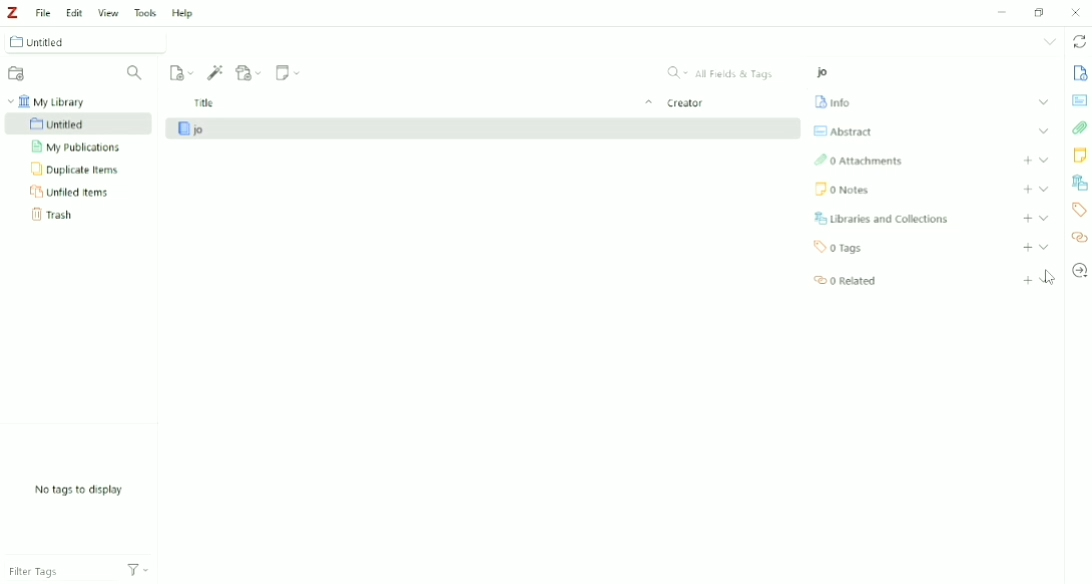  What do you see at coordinates (75, 12) in the screenshot?
I see `Edit` at bounding box center [75, 12].